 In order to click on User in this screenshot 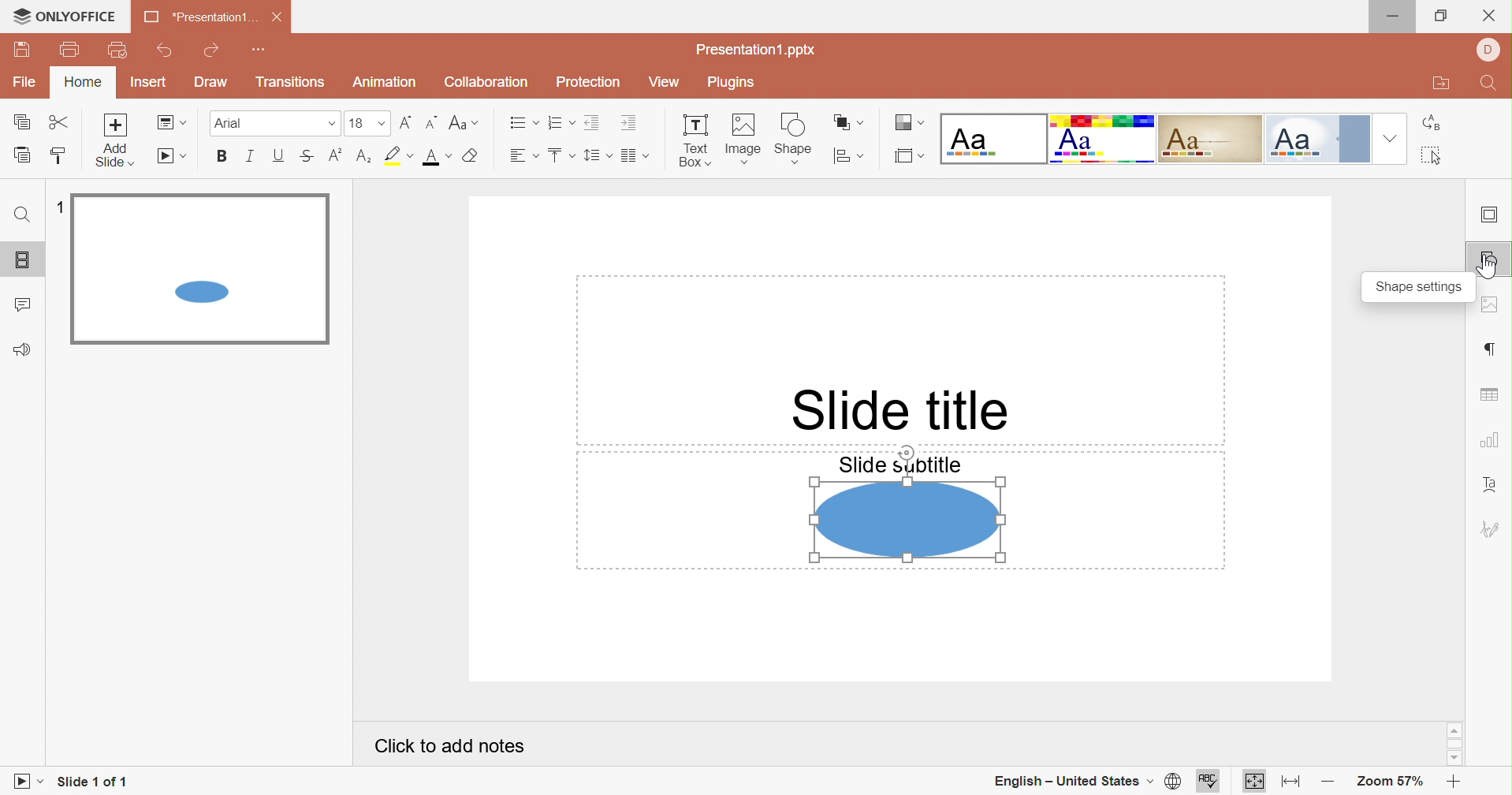, I will do `click(1487, 50)`.